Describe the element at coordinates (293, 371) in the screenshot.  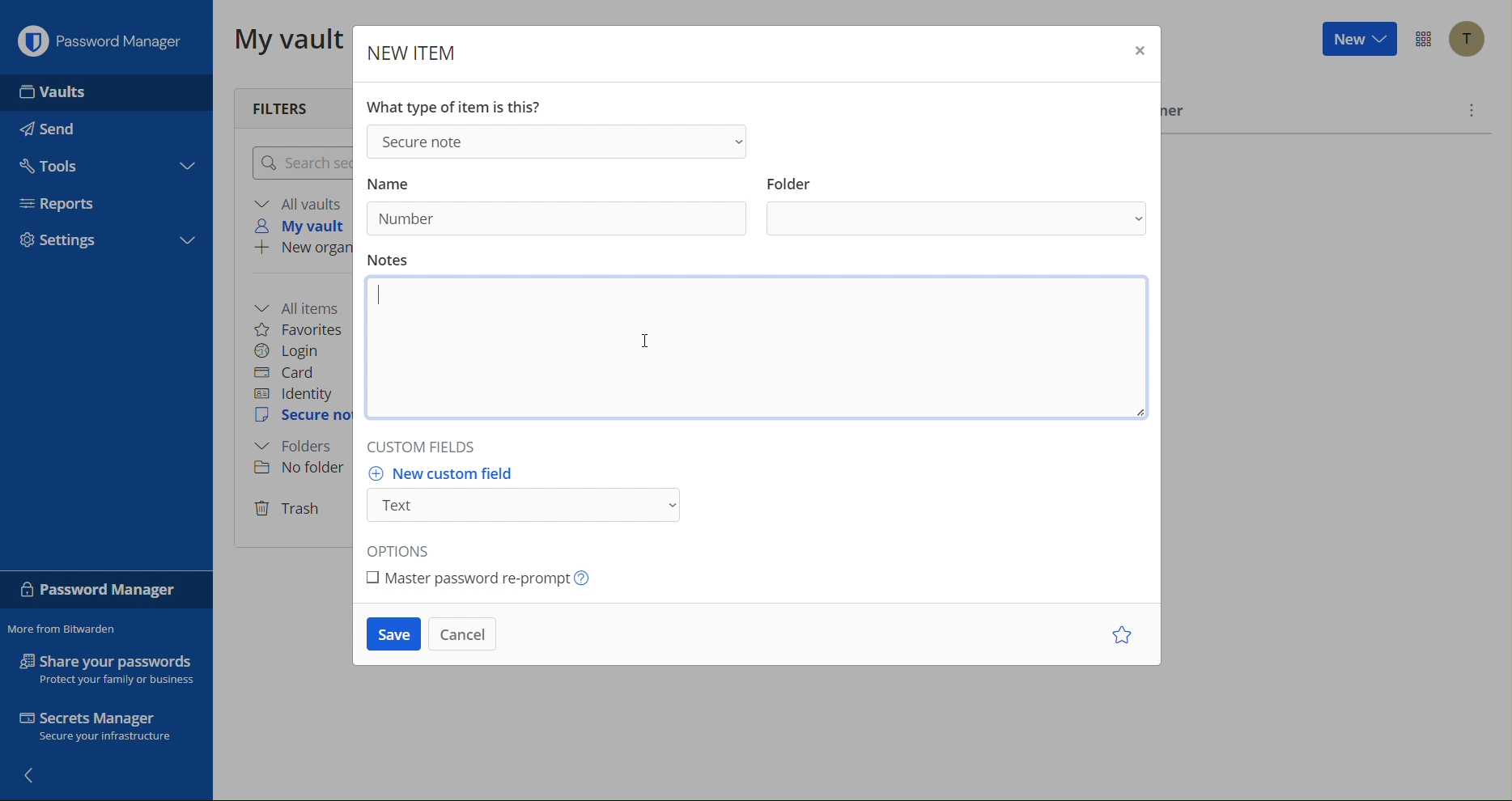
I see `Card` at that location.